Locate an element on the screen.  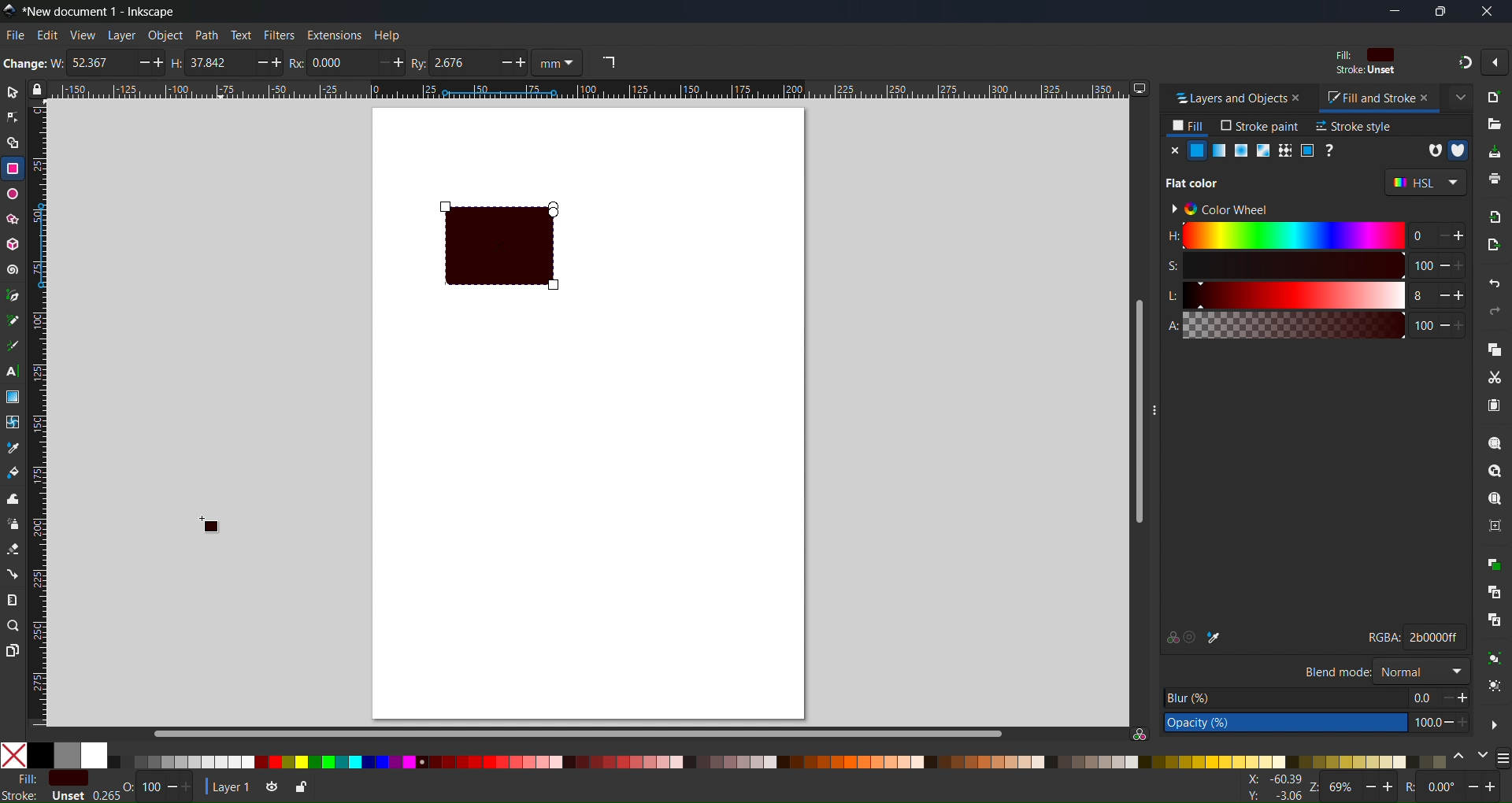
Object is located at coordinates (165, 35).